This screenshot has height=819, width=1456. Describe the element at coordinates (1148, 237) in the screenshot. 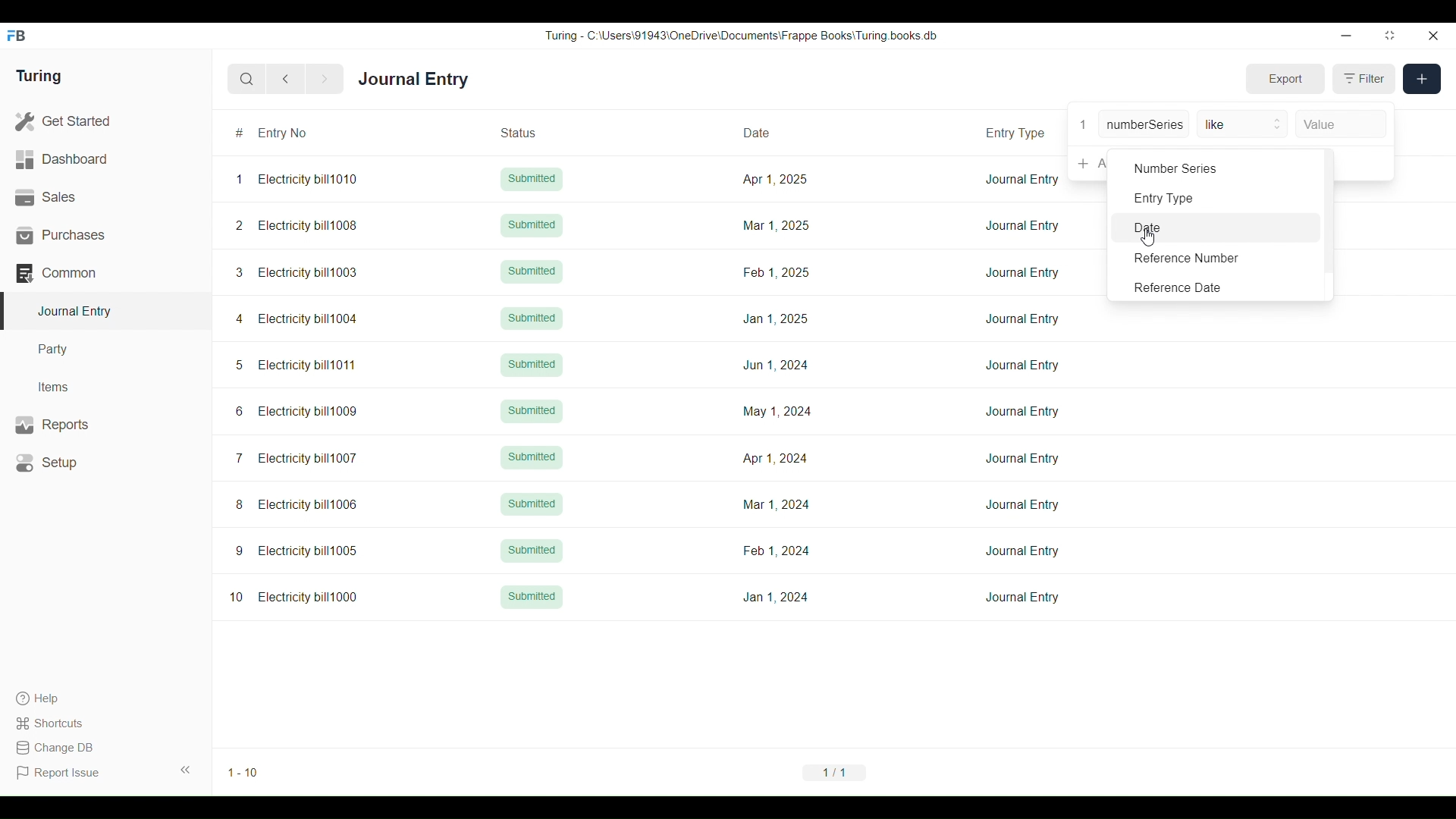

I see `Cursor` at that location.